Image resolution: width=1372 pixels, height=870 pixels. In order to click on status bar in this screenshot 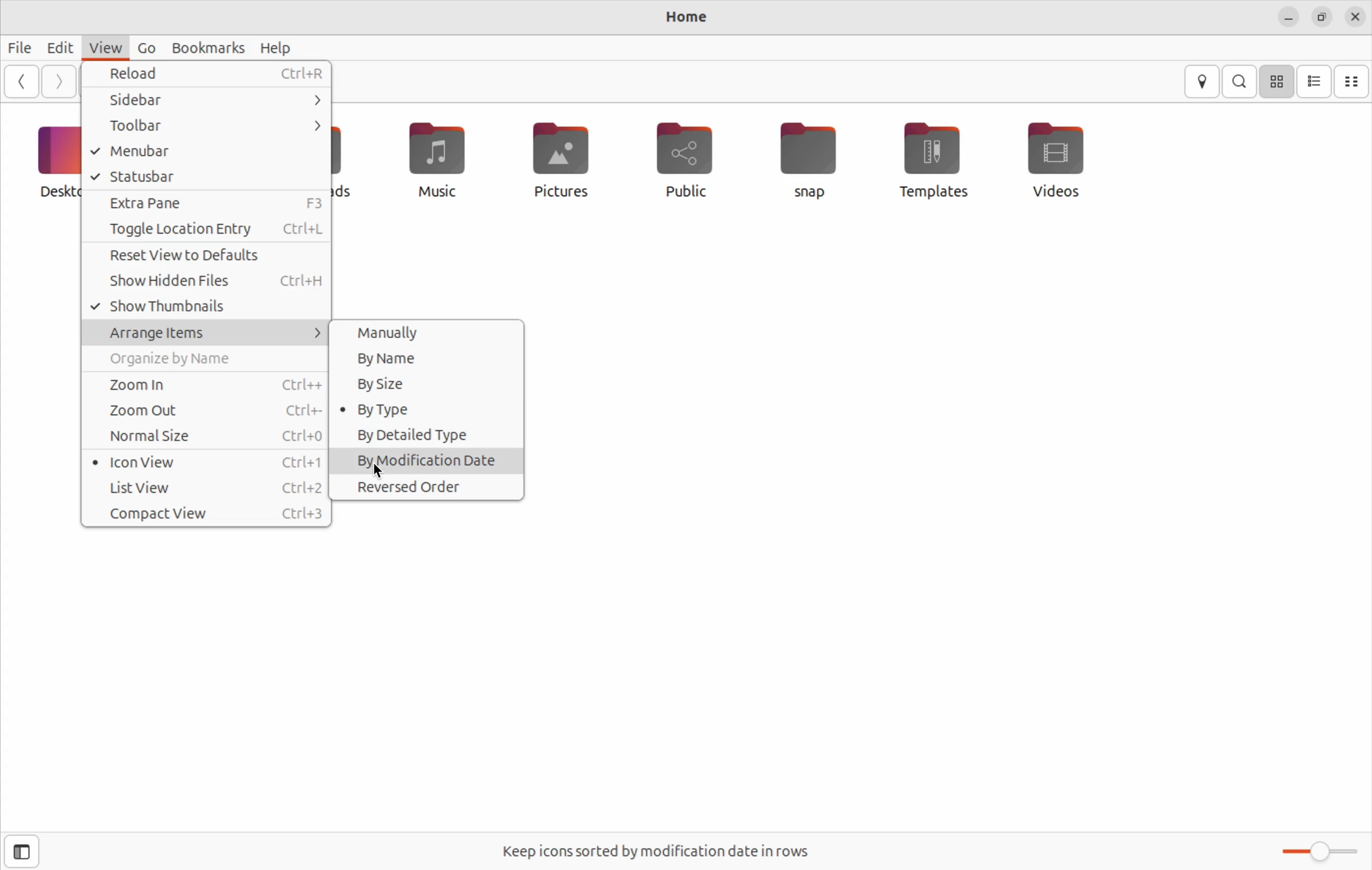, I will do `click(207, 176)`.